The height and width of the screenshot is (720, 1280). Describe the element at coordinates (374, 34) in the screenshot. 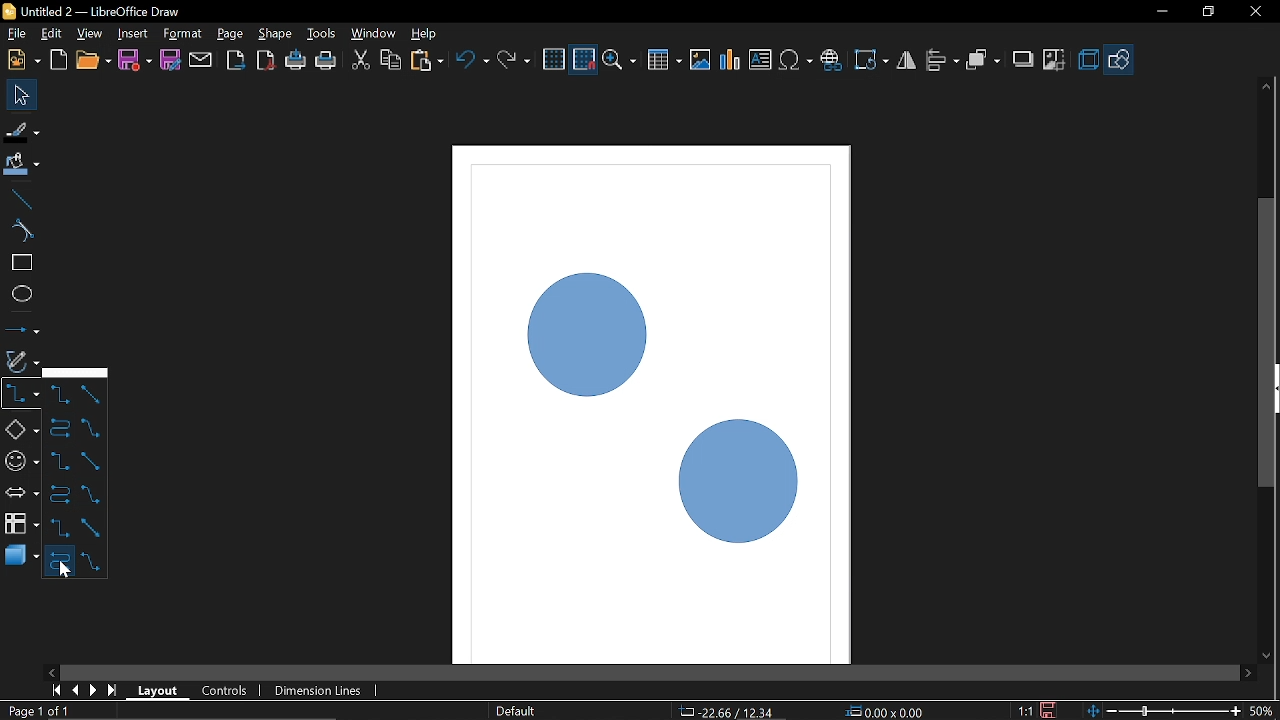

I see `Window` at that location.